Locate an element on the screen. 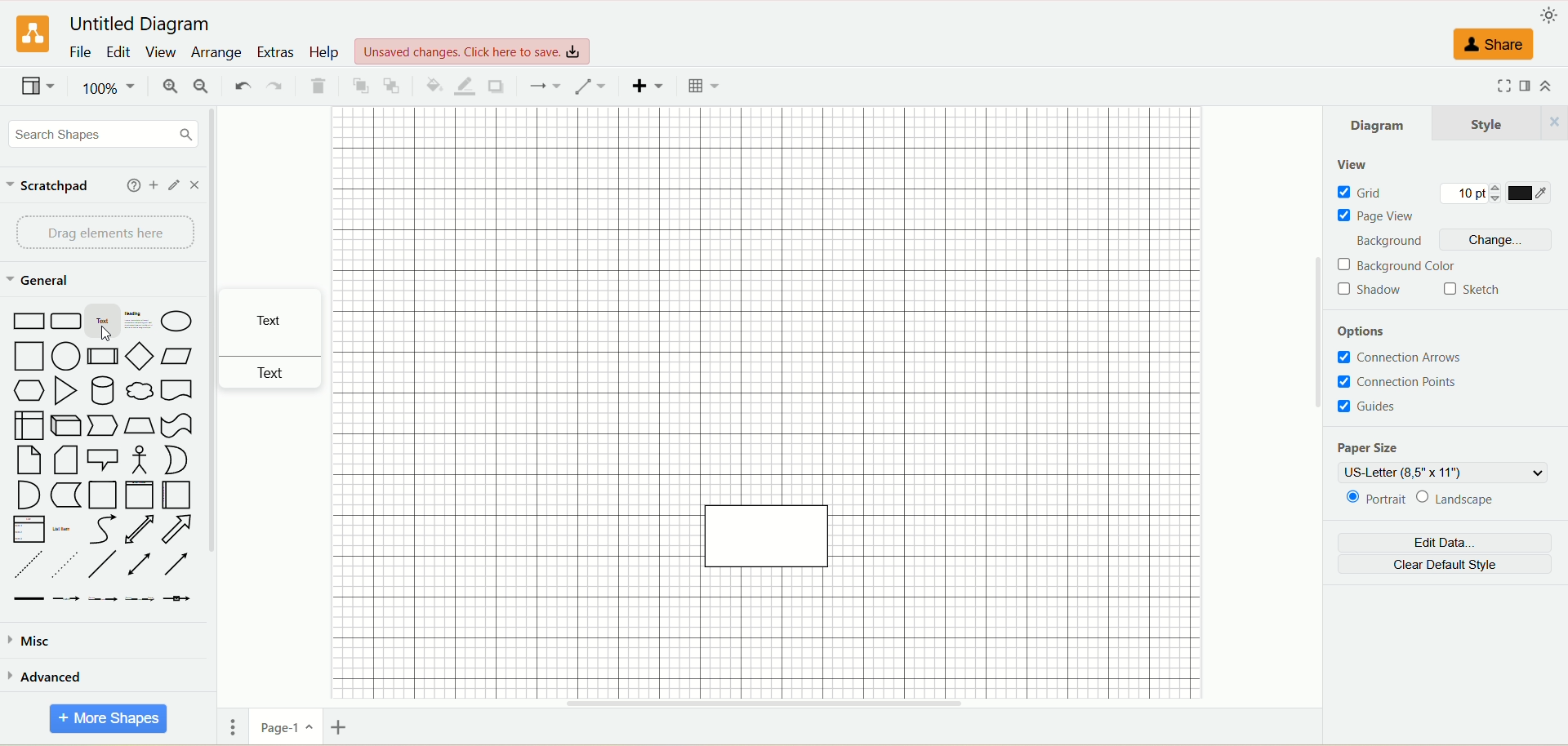 The width and height of the screenshot is (1568, 746). title is located at coordinates (138, 24).